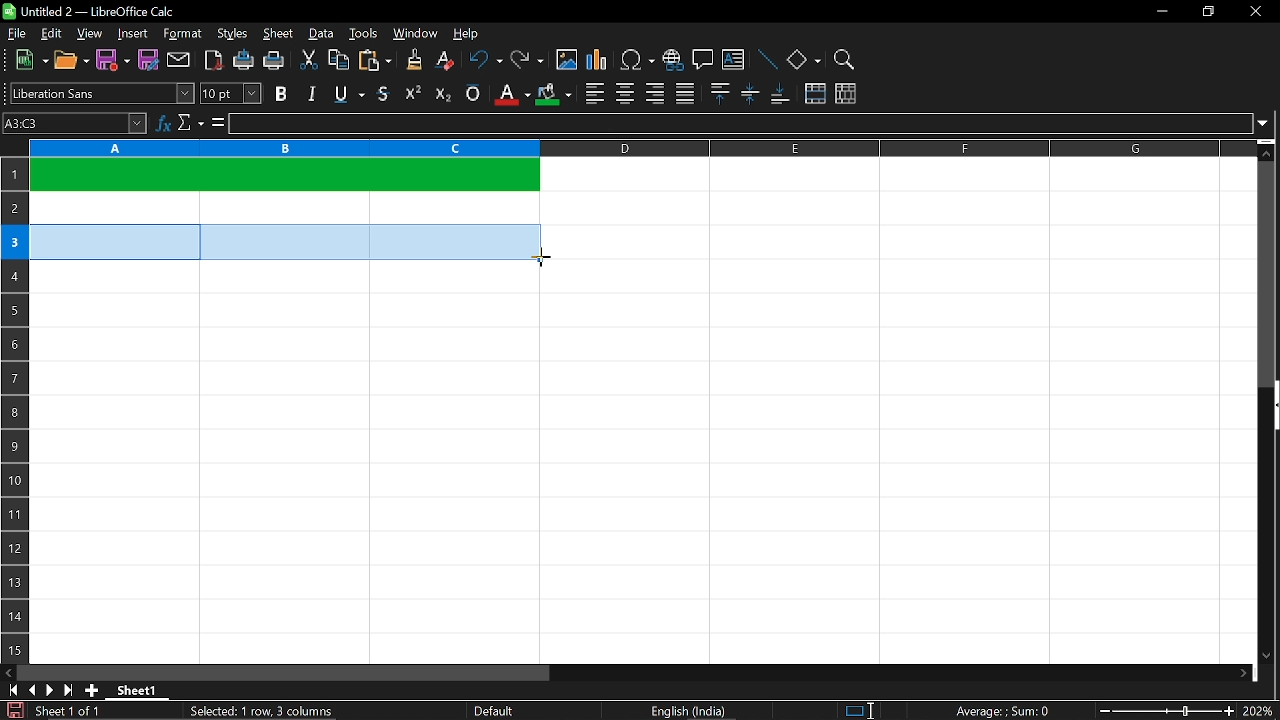  Describe the element at coordinates (190, 124) in the screenshot. I see `select function` at that location.